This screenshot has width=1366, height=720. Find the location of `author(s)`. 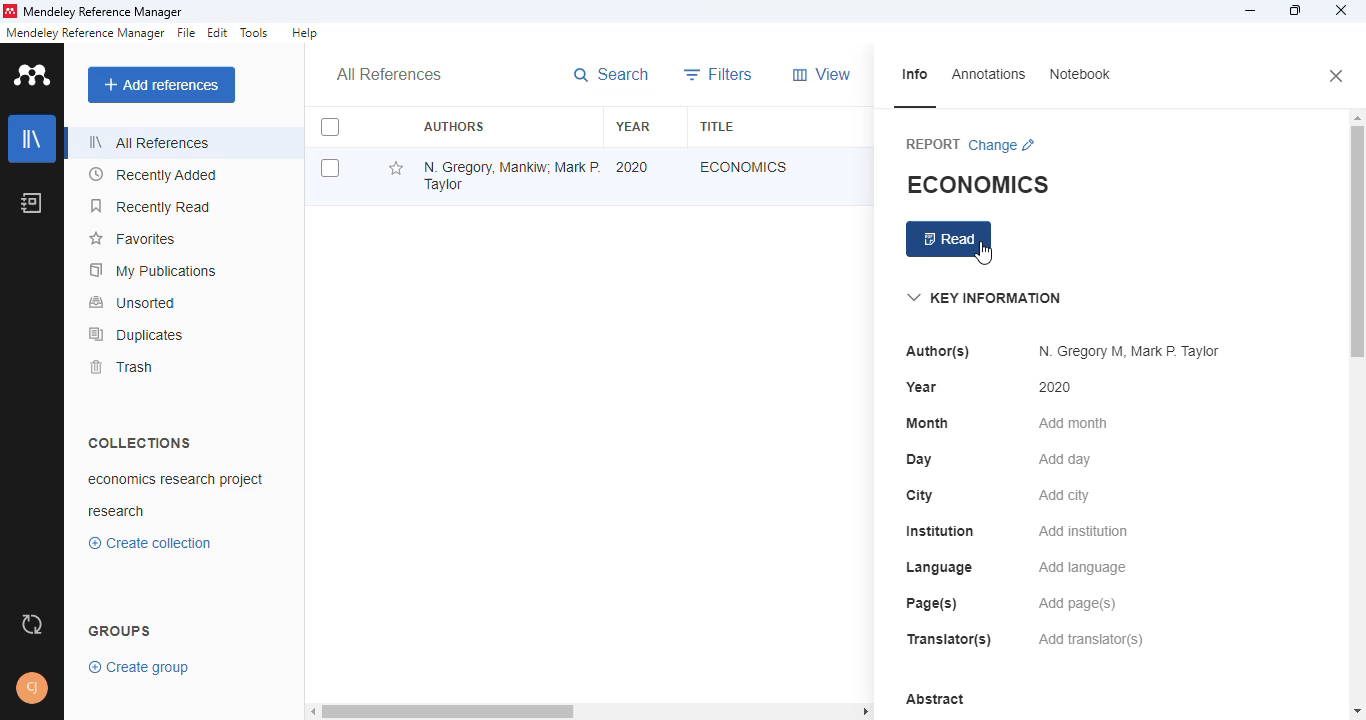

author(s) is located at coordinates (937, 352).